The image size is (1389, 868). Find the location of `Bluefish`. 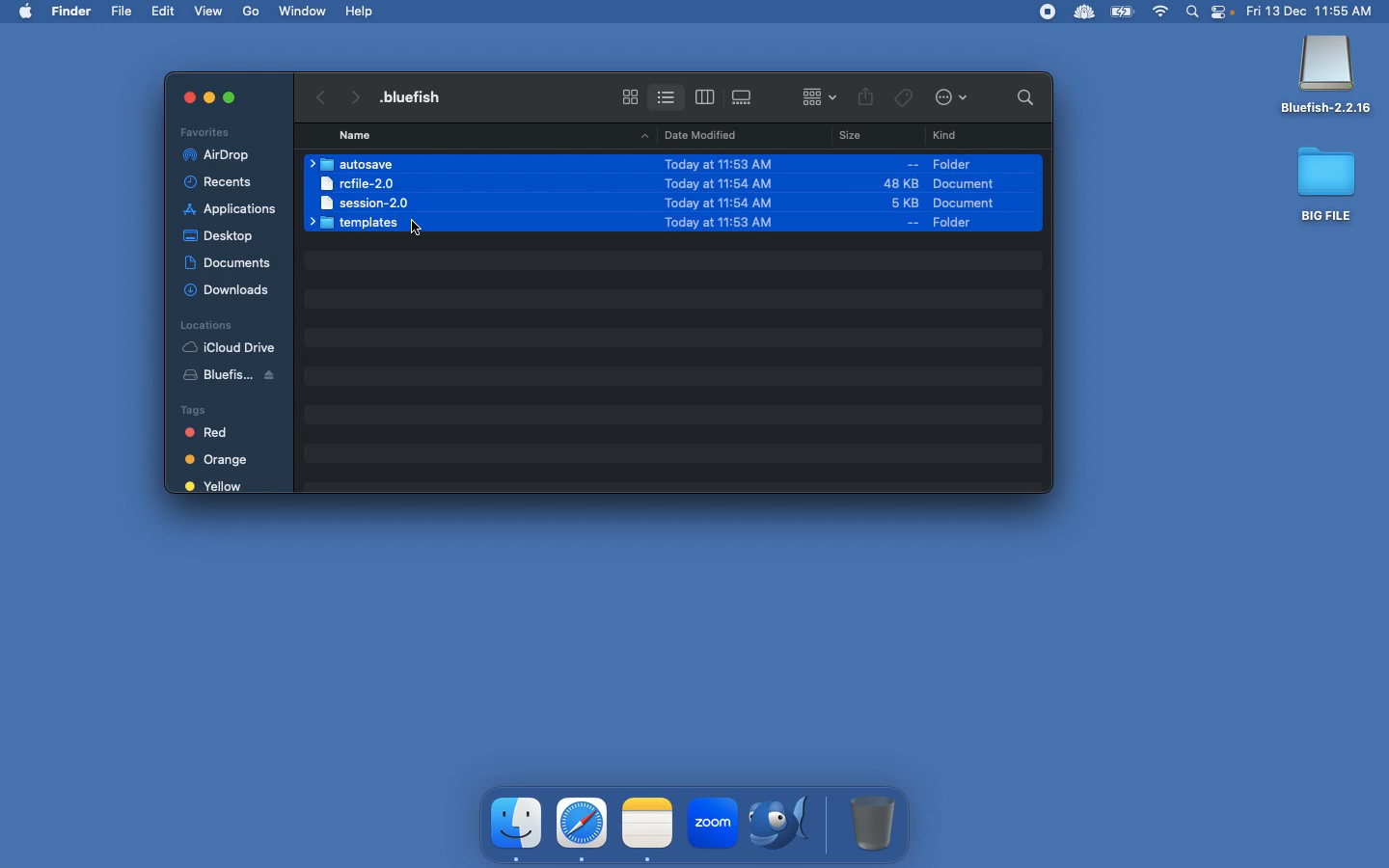

Bluefish is located at coordinates (237, 378).